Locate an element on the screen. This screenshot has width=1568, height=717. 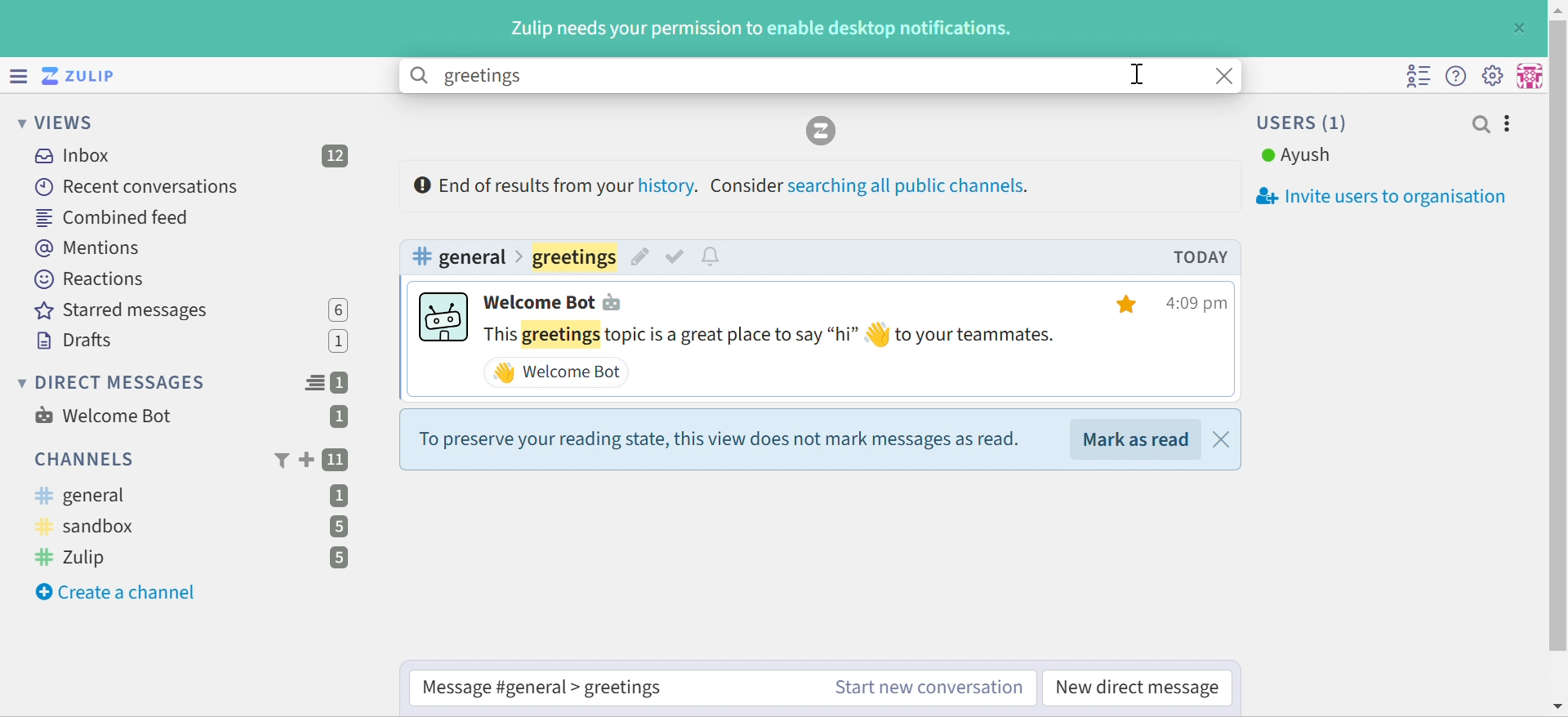
VIEWS is located at coordinates (59, 124).